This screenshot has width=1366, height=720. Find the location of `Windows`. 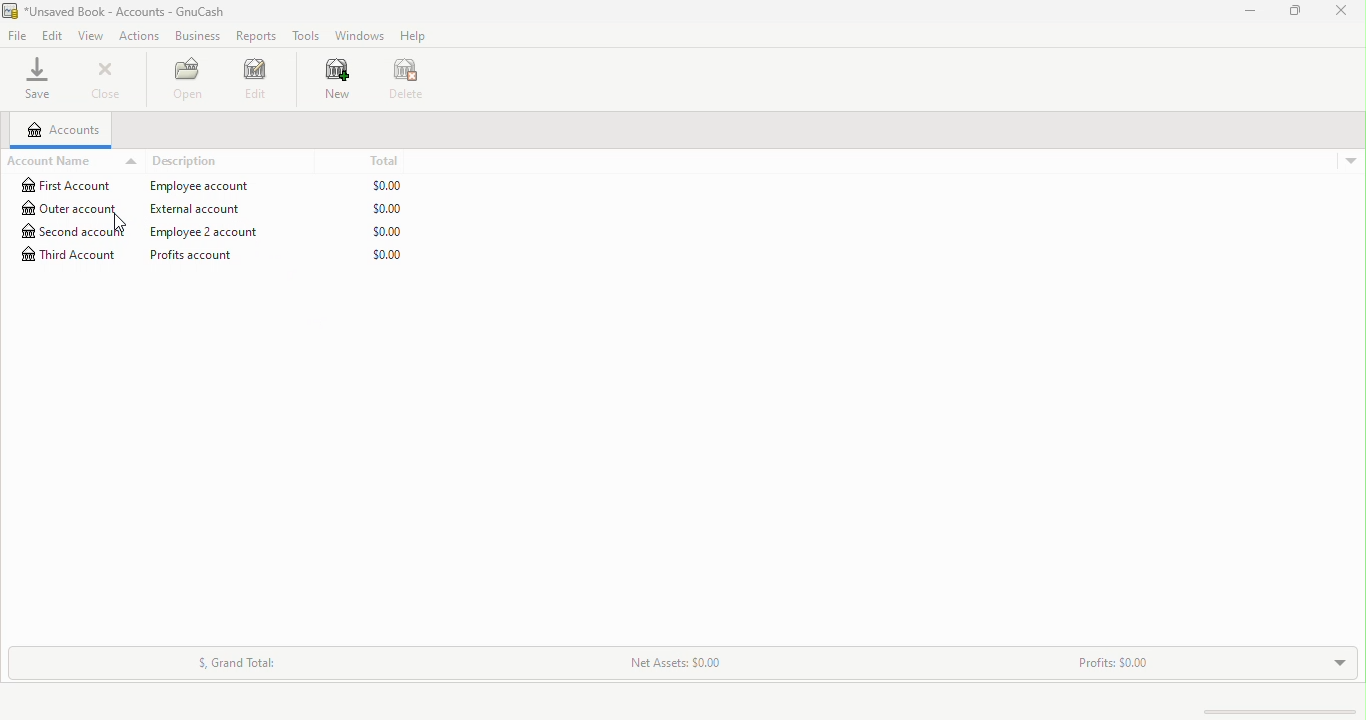

Windows is located at coordinates (358, 35).